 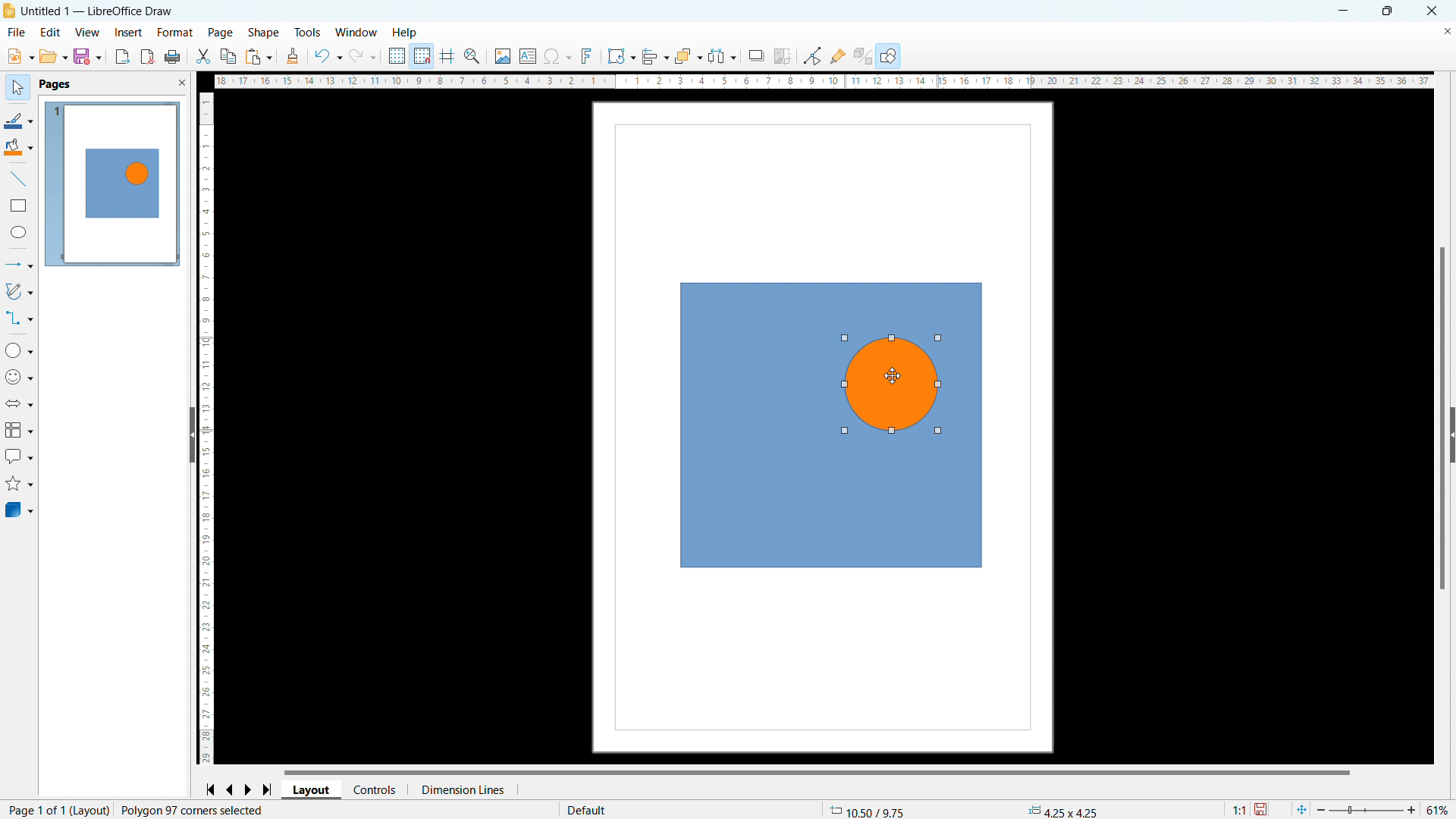 What do you see at coordinates (890, 55) in the screenshot?
I see `show draw functions` at bounding box center [890, 55].